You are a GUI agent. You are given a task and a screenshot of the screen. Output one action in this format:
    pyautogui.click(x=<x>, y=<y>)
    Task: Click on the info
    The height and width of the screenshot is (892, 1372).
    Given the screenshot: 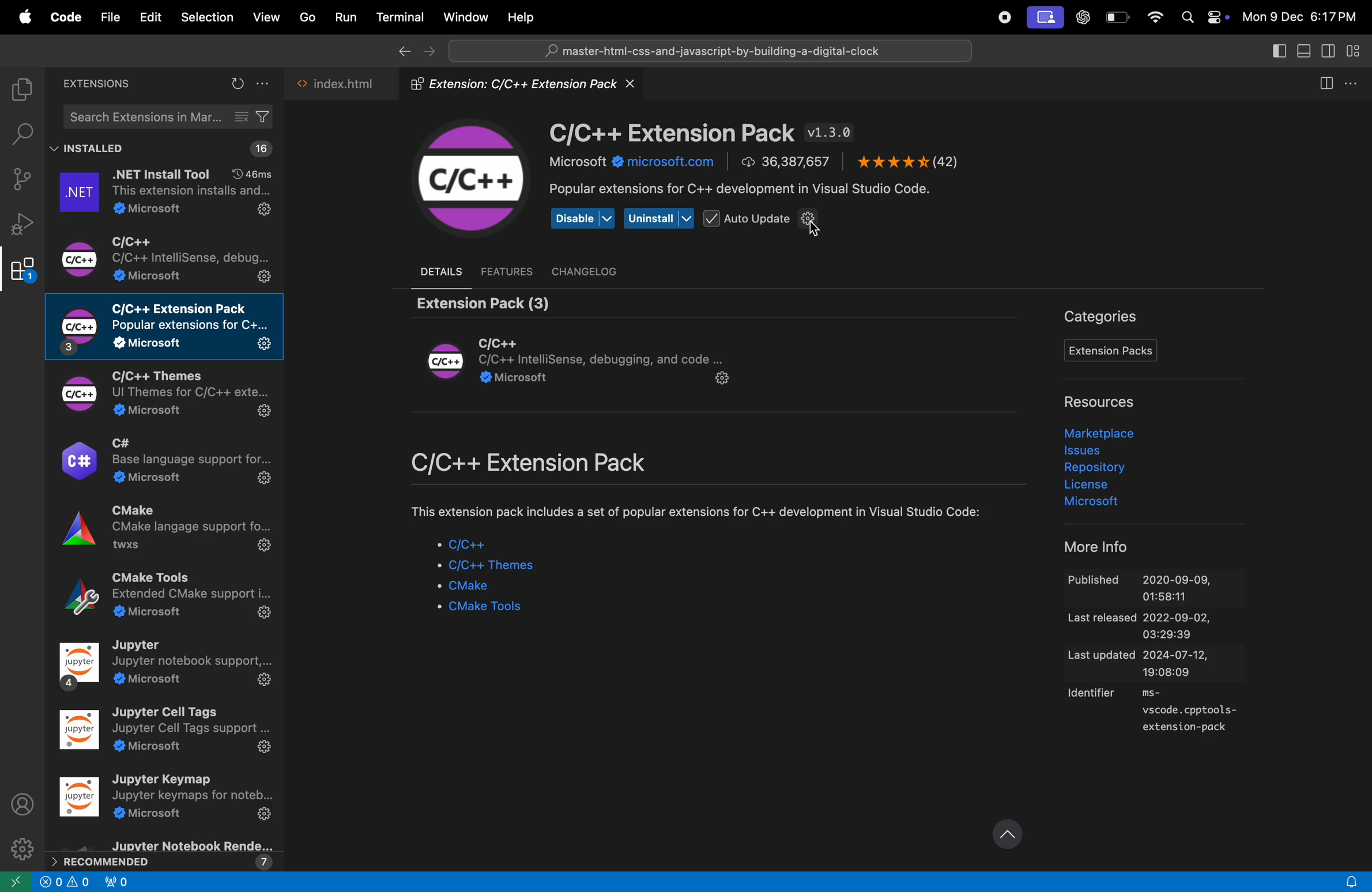 What is the action you would take?
    pyautogui.click(x=66, y=884)
    